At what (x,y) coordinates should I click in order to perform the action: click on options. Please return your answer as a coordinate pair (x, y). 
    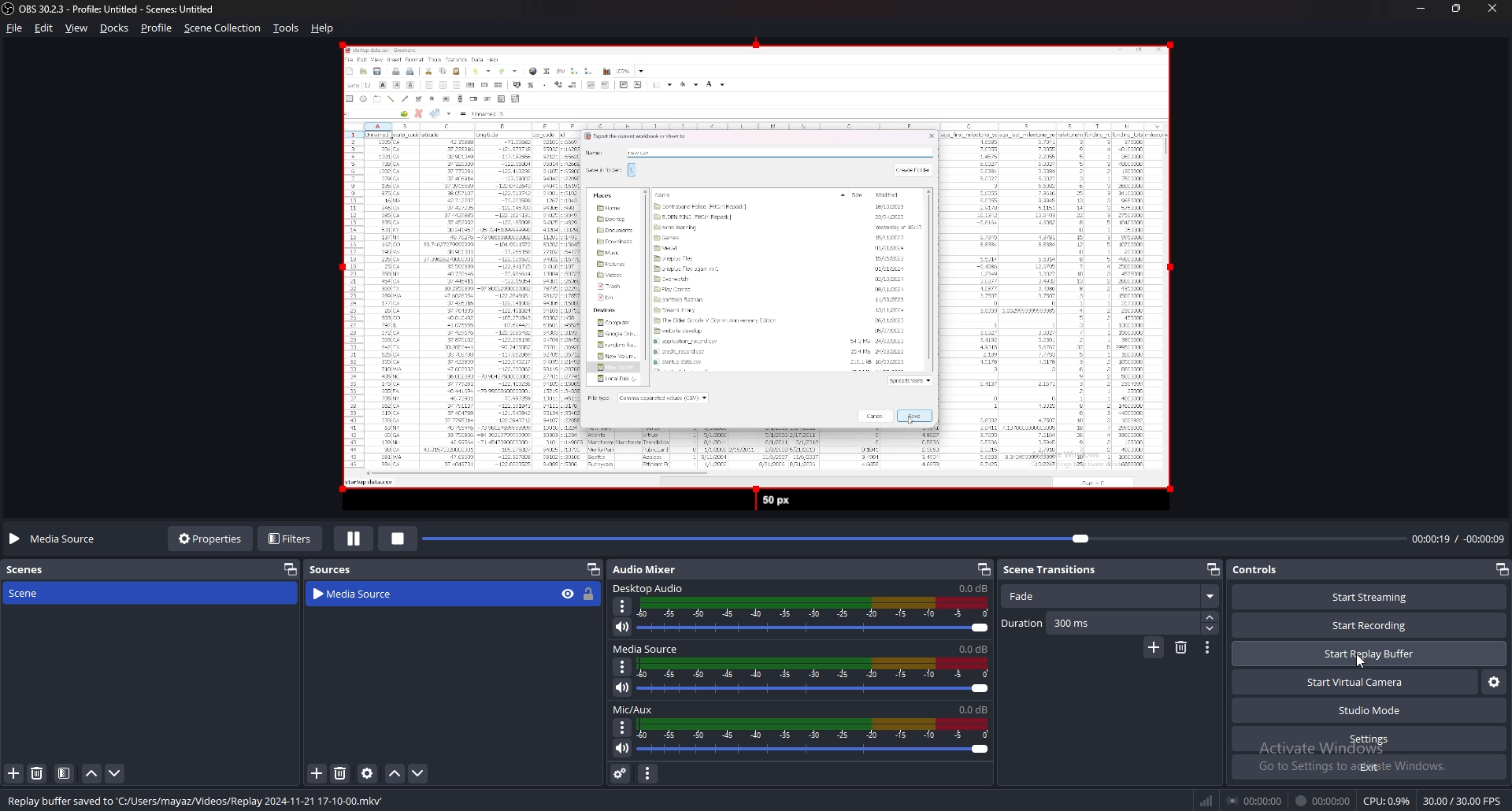
    Looking at the image, I should click on (624, 666).